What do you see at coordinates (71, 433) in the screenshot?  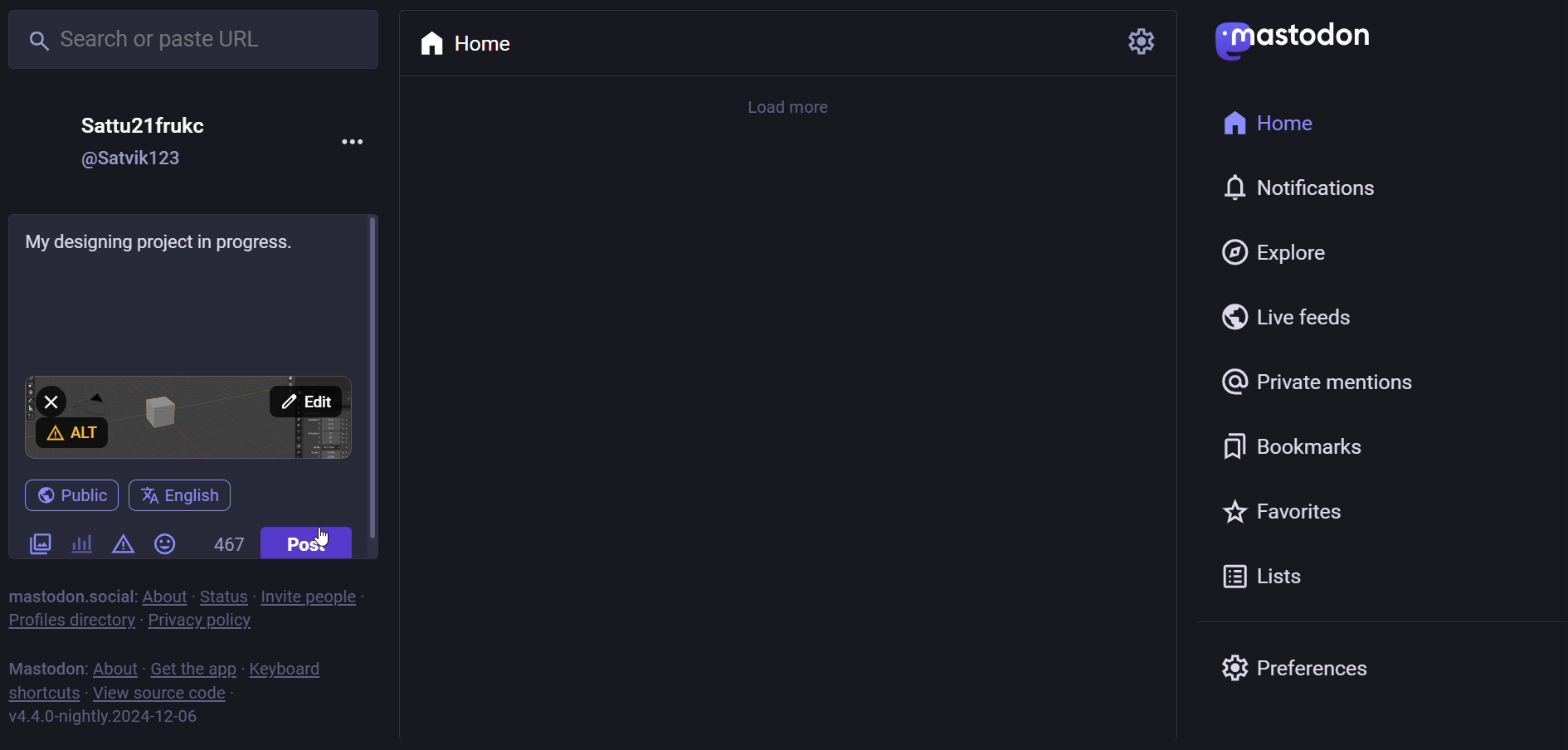 I see `alt` at bounding box center [71, 433].